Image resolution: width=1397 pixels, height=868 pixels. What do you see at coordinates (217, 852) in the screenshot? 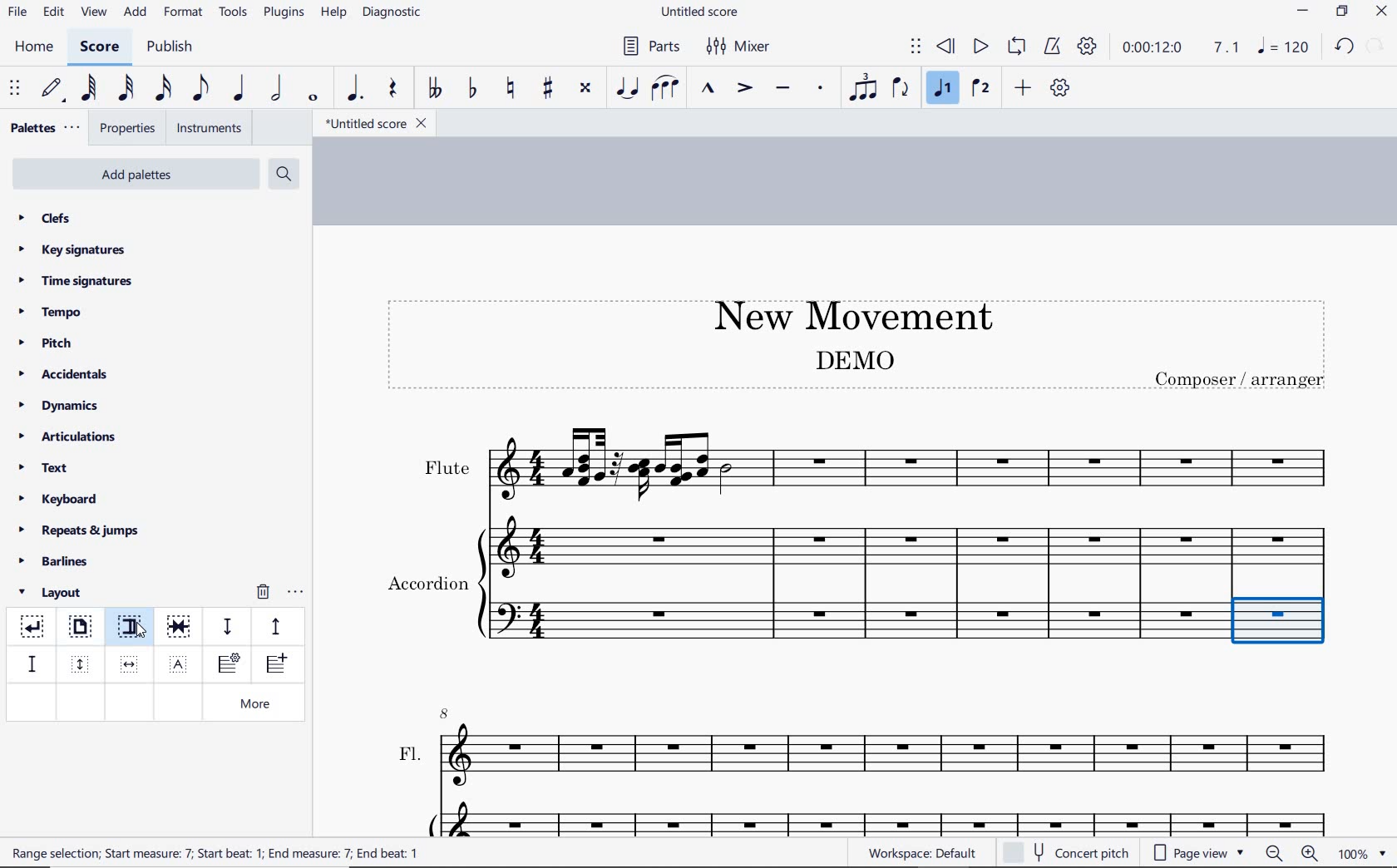
I see `text` at bounding box center [217, 852].